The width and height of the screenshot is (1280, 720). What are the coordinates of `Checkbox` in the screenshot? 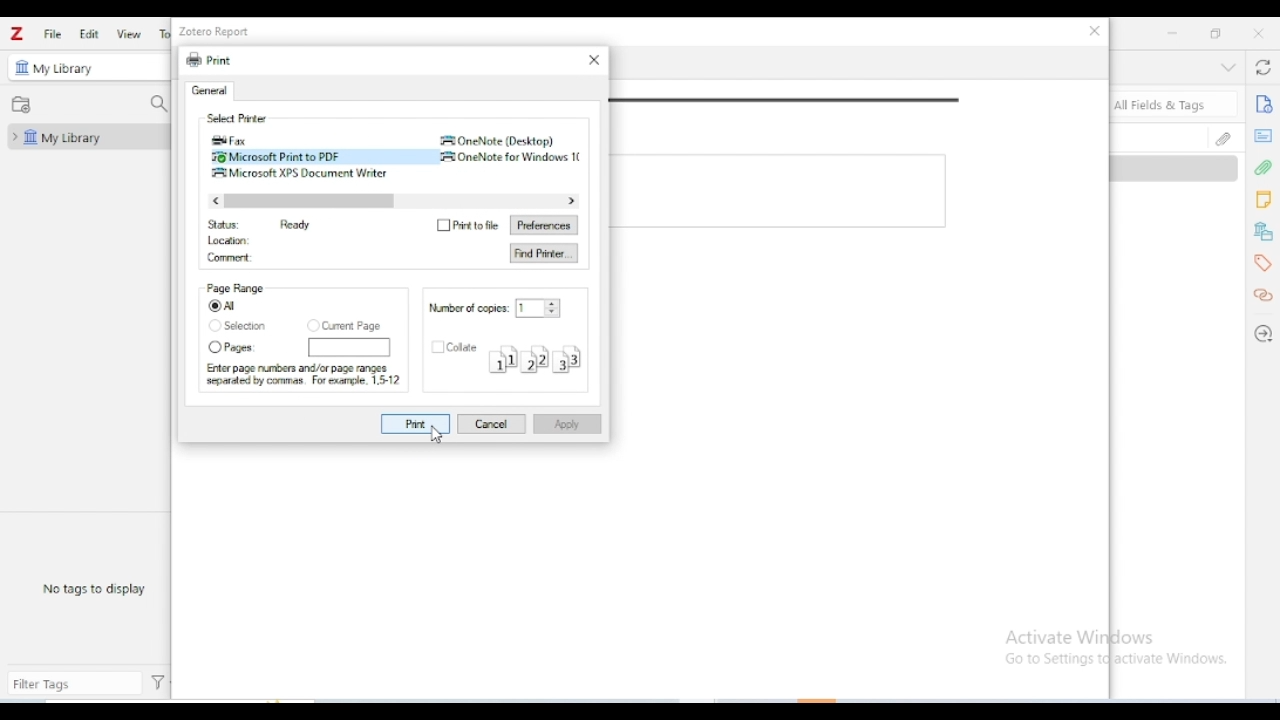 It's located at (311, 326).